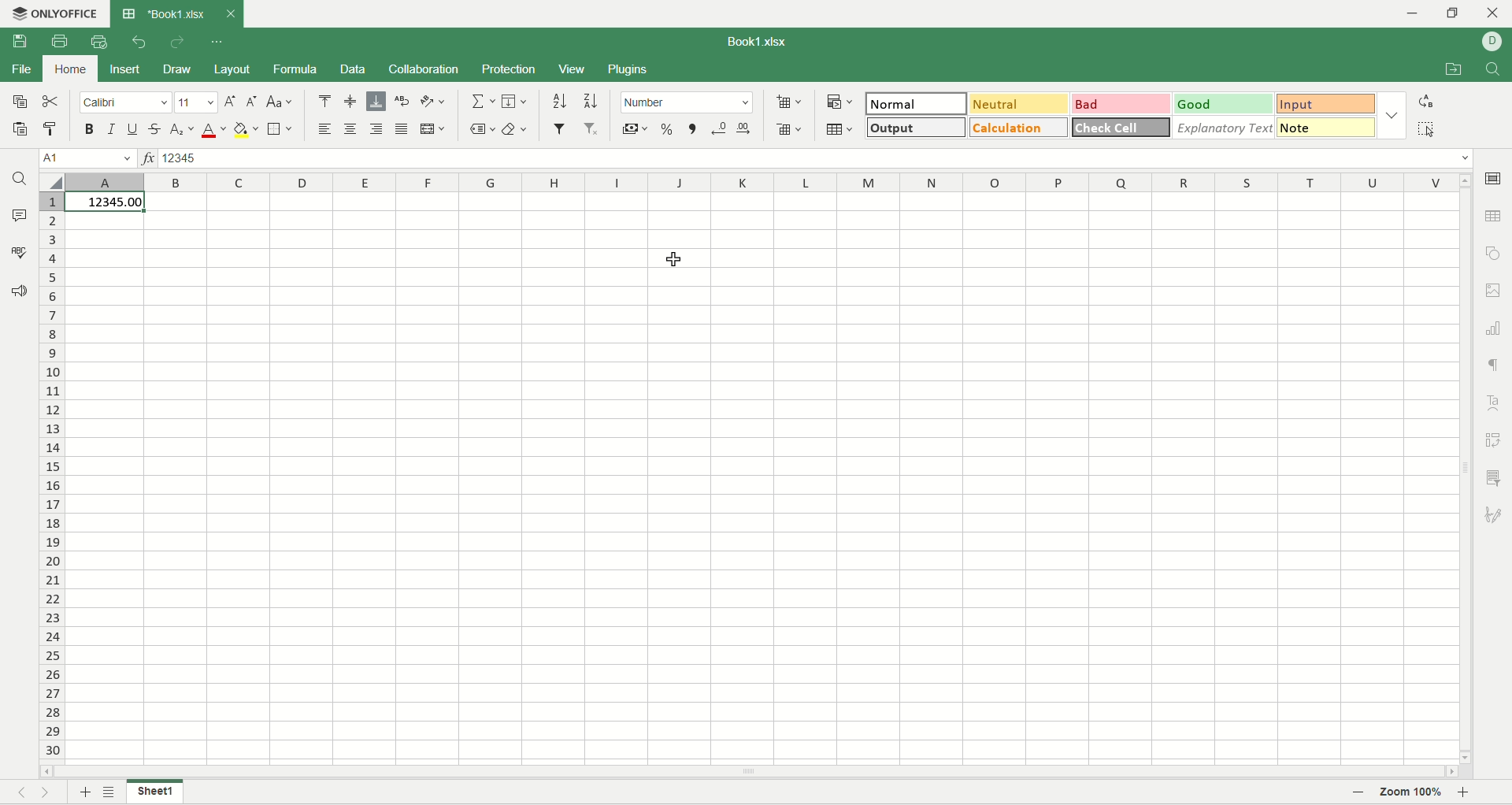 Image resolution: width=1512 pixels, height=805 pixels. I want to click on fill, so click(514, 102).